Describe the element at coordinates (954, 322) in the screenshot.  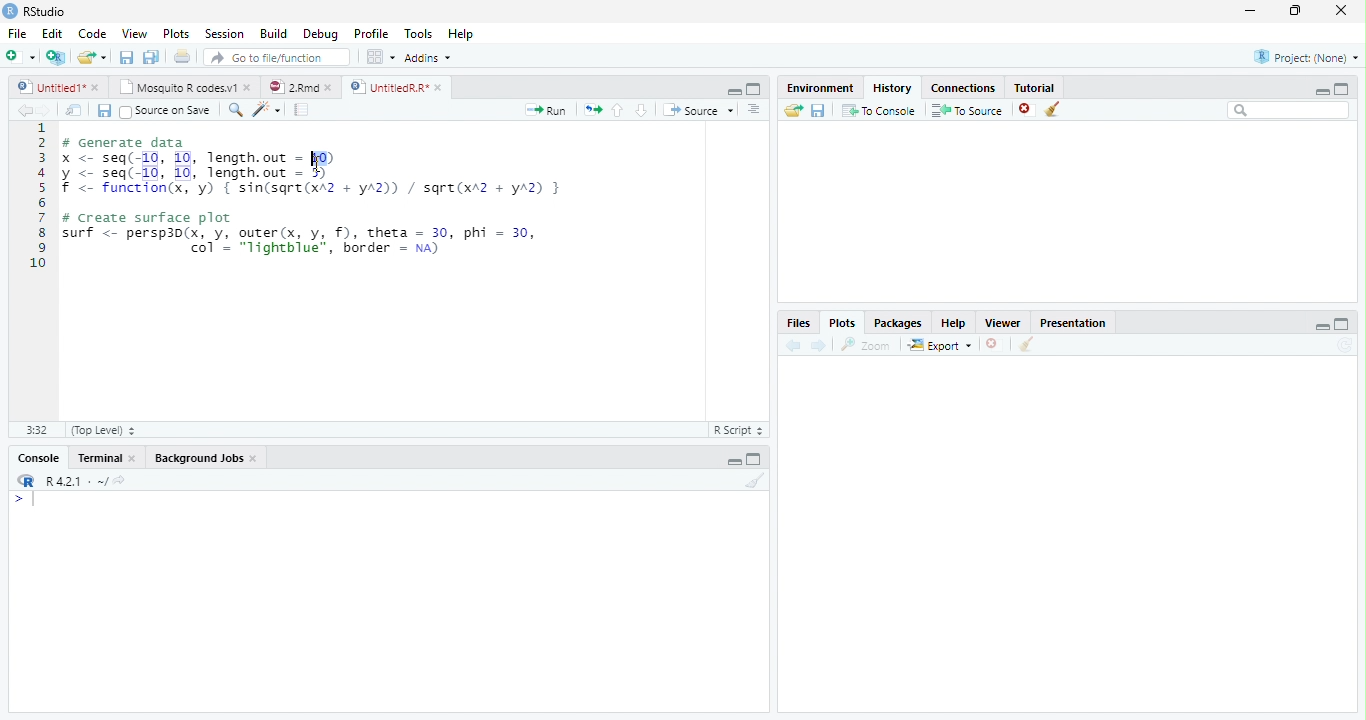
I see `Help` at that location.